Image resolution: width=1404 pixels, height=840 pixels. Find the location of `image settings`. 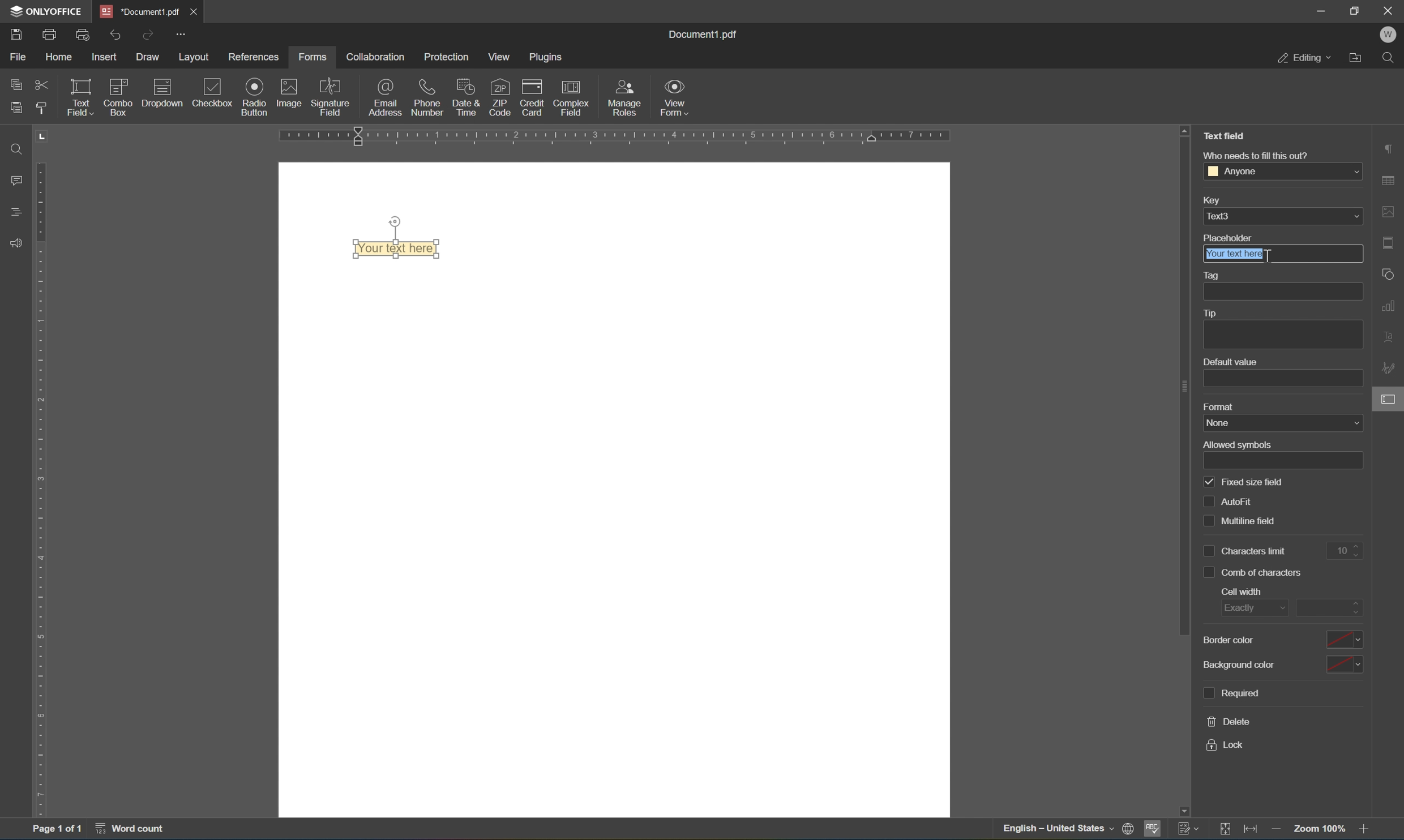

image settings is located at coordinates (1393, 215).